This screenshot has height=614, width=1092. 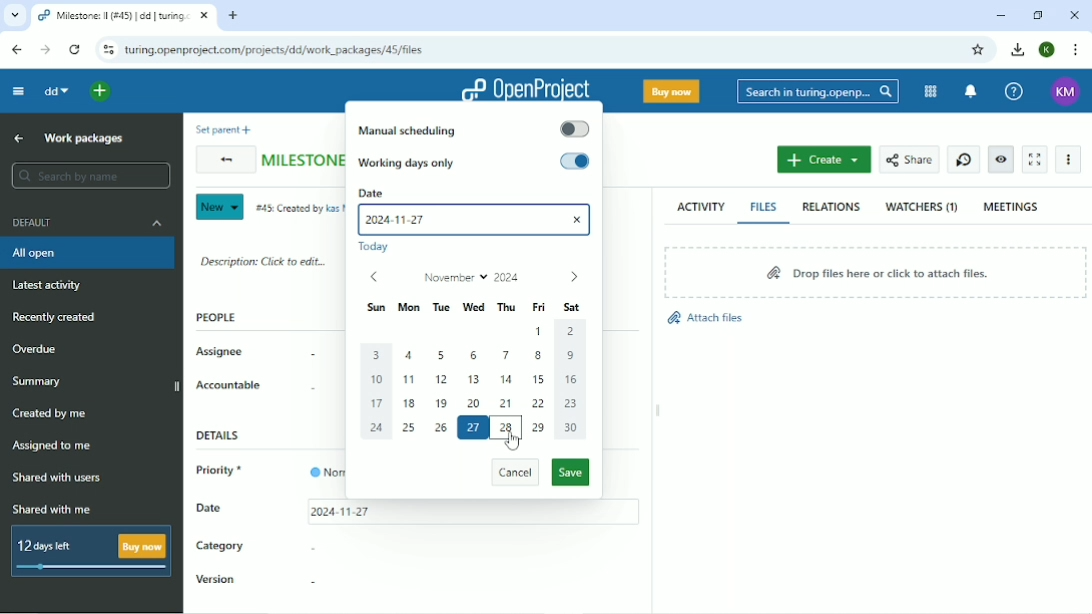 I want to click on Restore down, so click(x=1040, y=15).